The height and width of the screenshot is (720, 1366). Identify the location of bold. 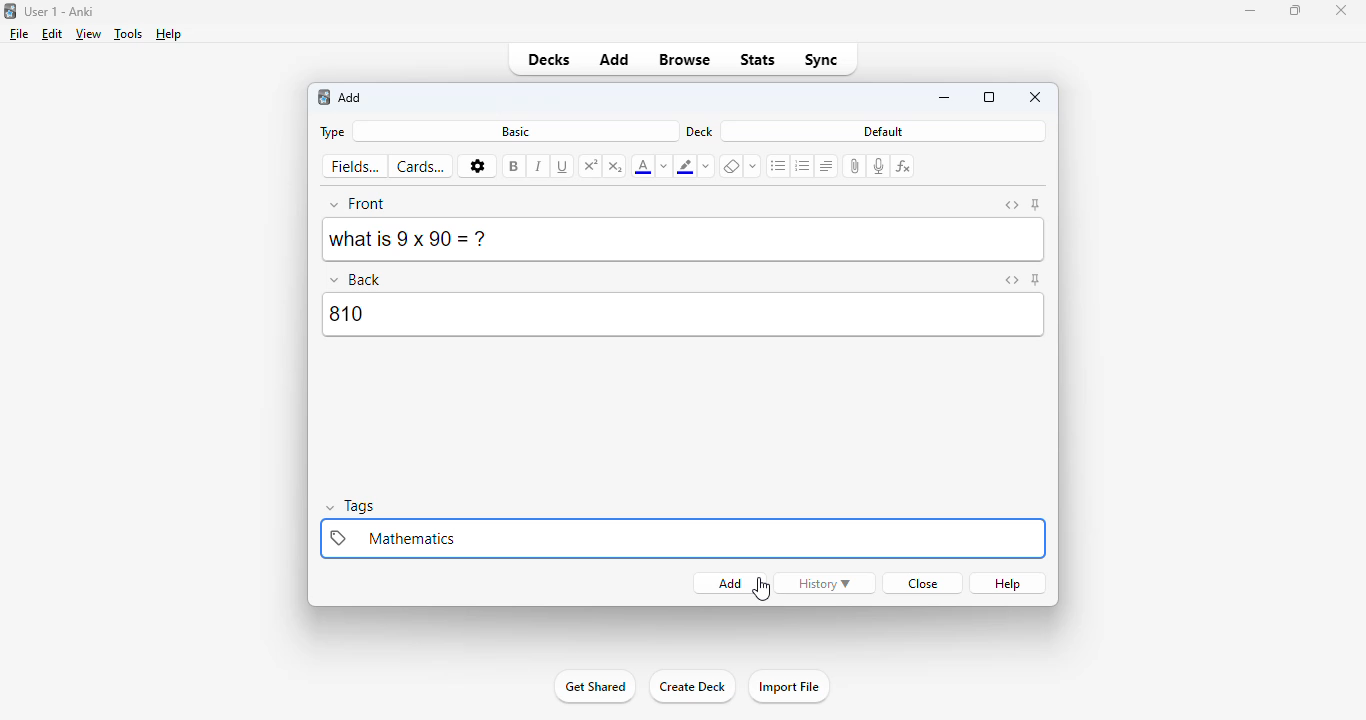
(514, 166).